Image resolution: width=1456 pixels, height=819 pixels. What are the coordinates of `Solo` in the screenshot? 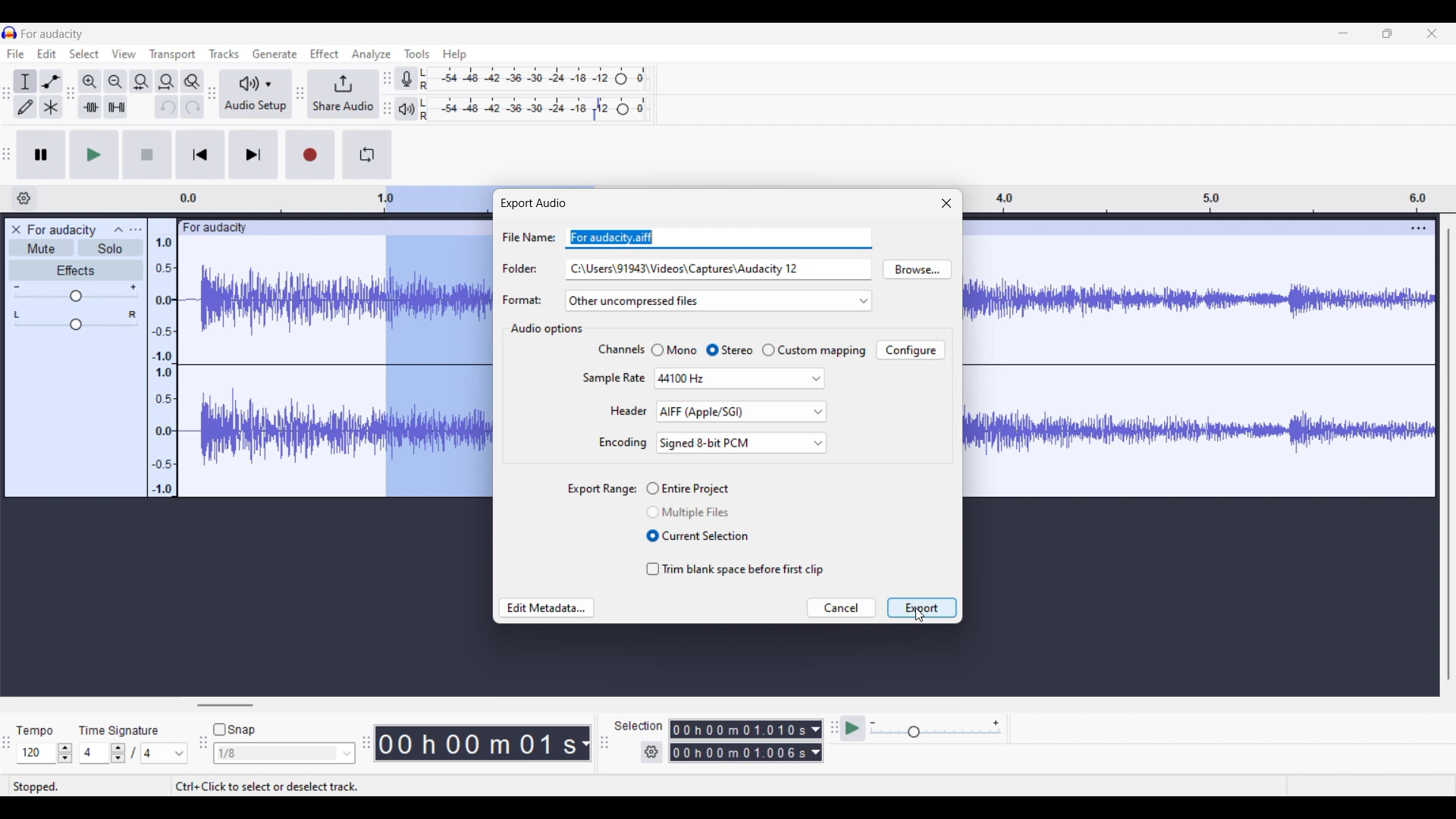 It's located at (111, 248).